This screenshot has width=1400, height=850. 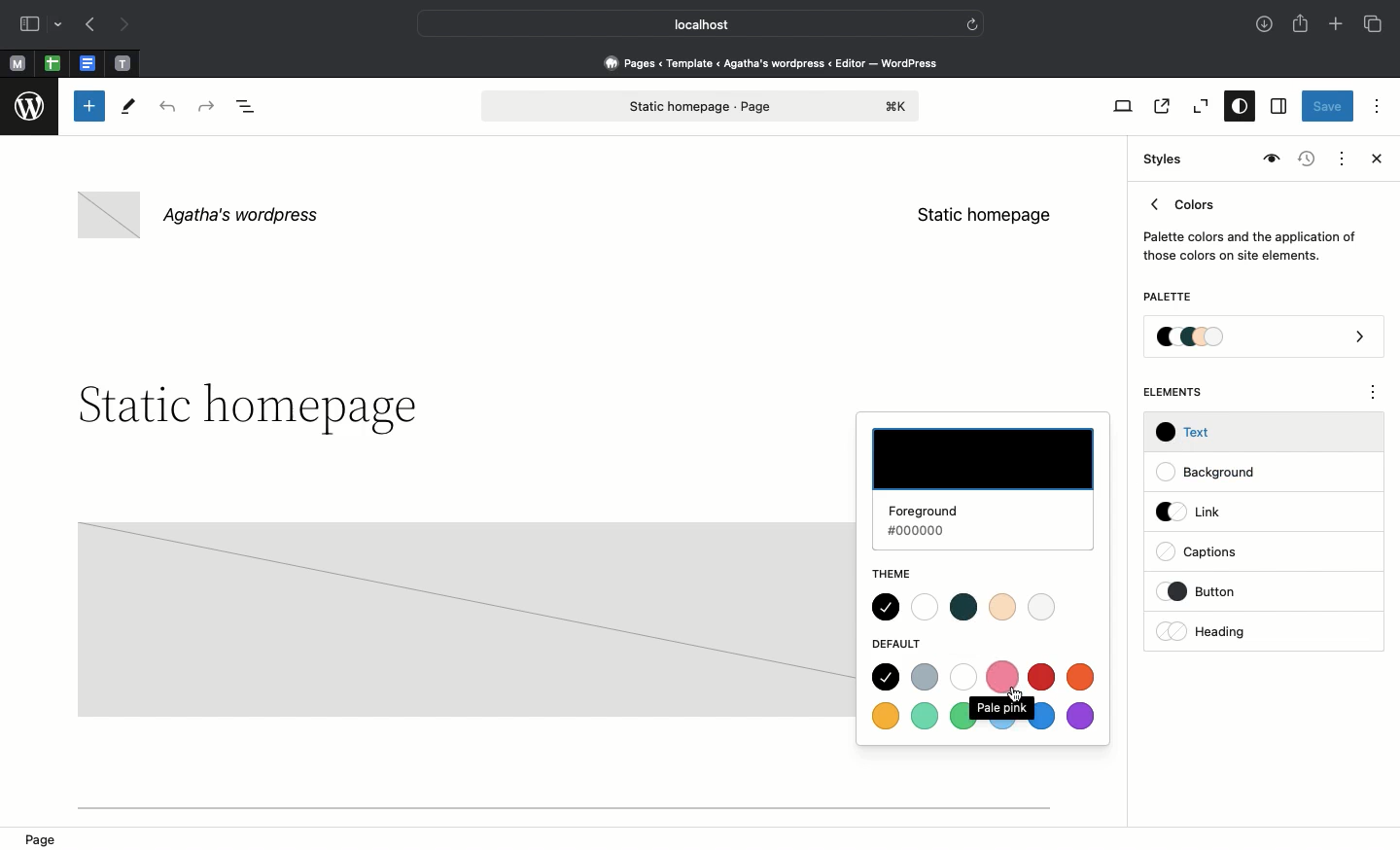 What do you see at coordinates (89, 106) in the screenshot?
I see `Toggle blocker` at bounding box center [89, 106].